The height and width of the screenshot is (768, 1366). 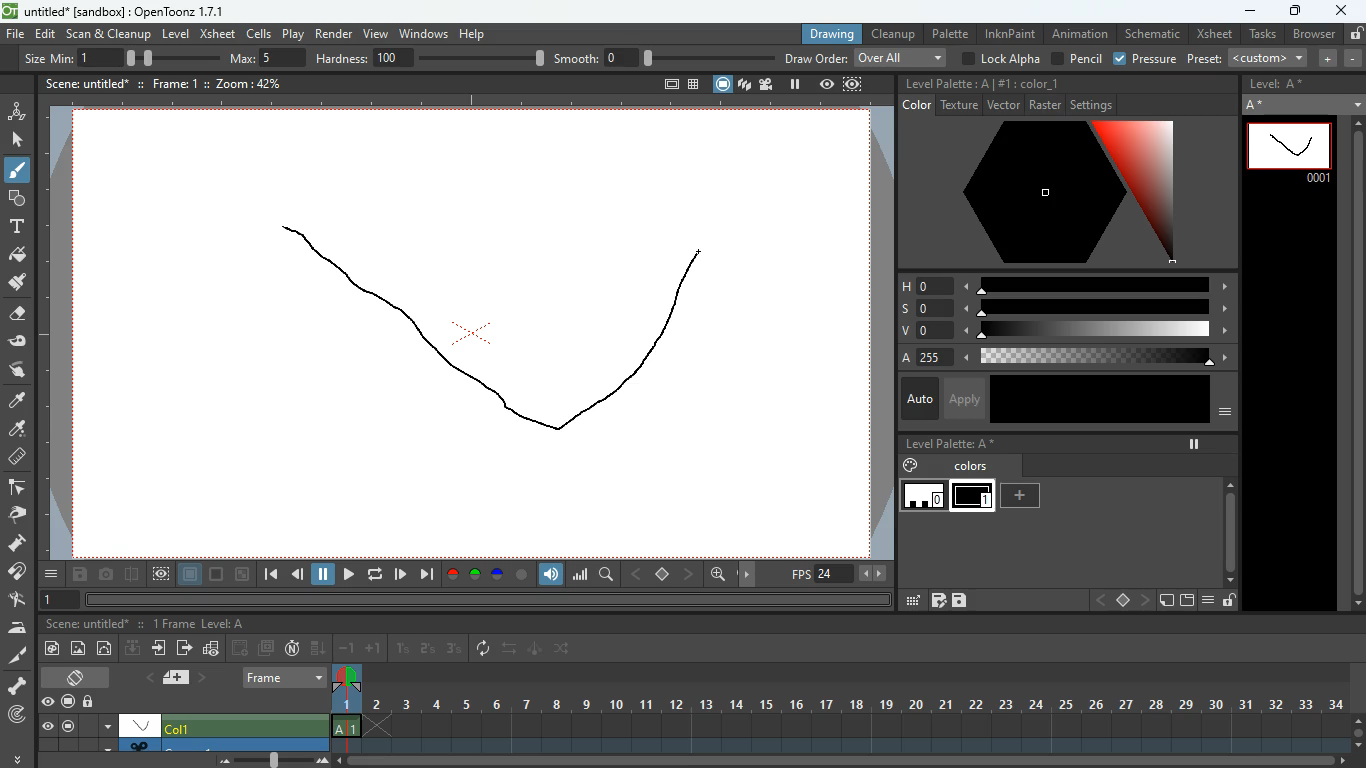 I want to click on windows, so click(x=423, y=31).